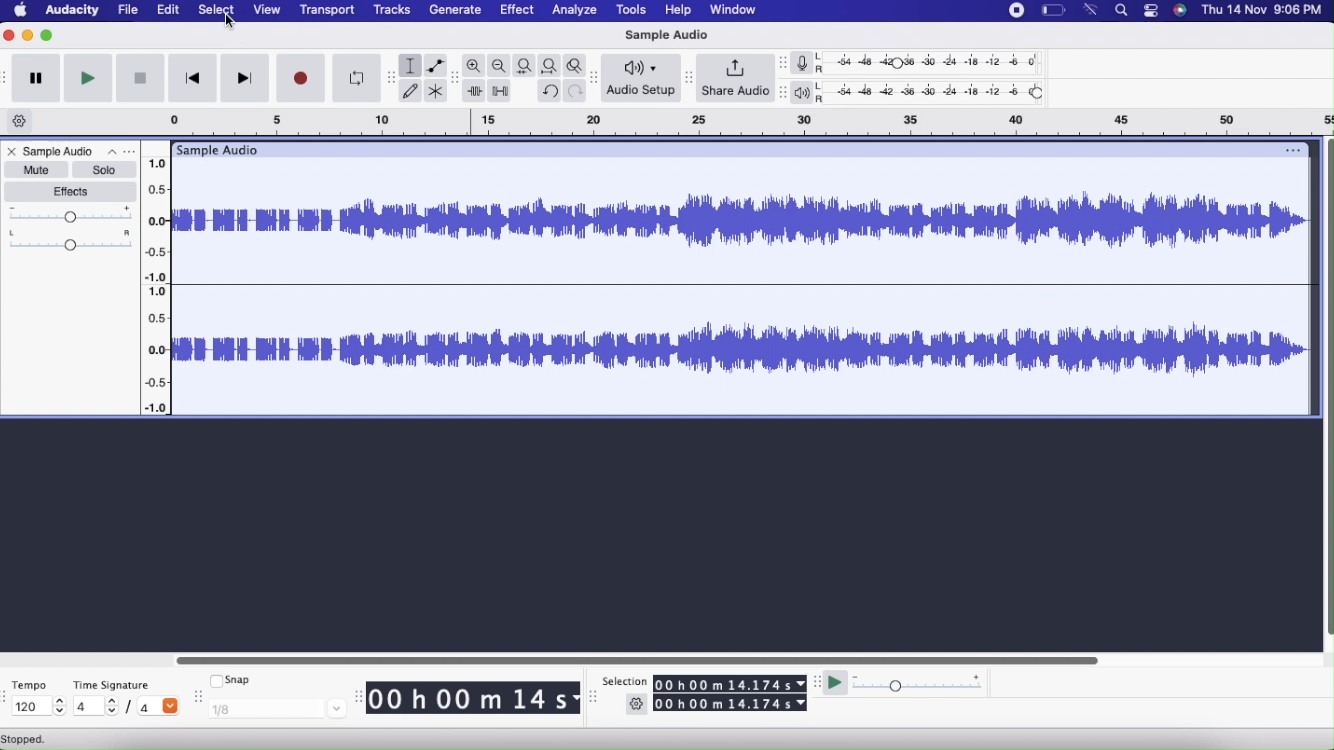 This screenshot has height=750, width=1334. I want to click on Playback level, so click(937, 94).